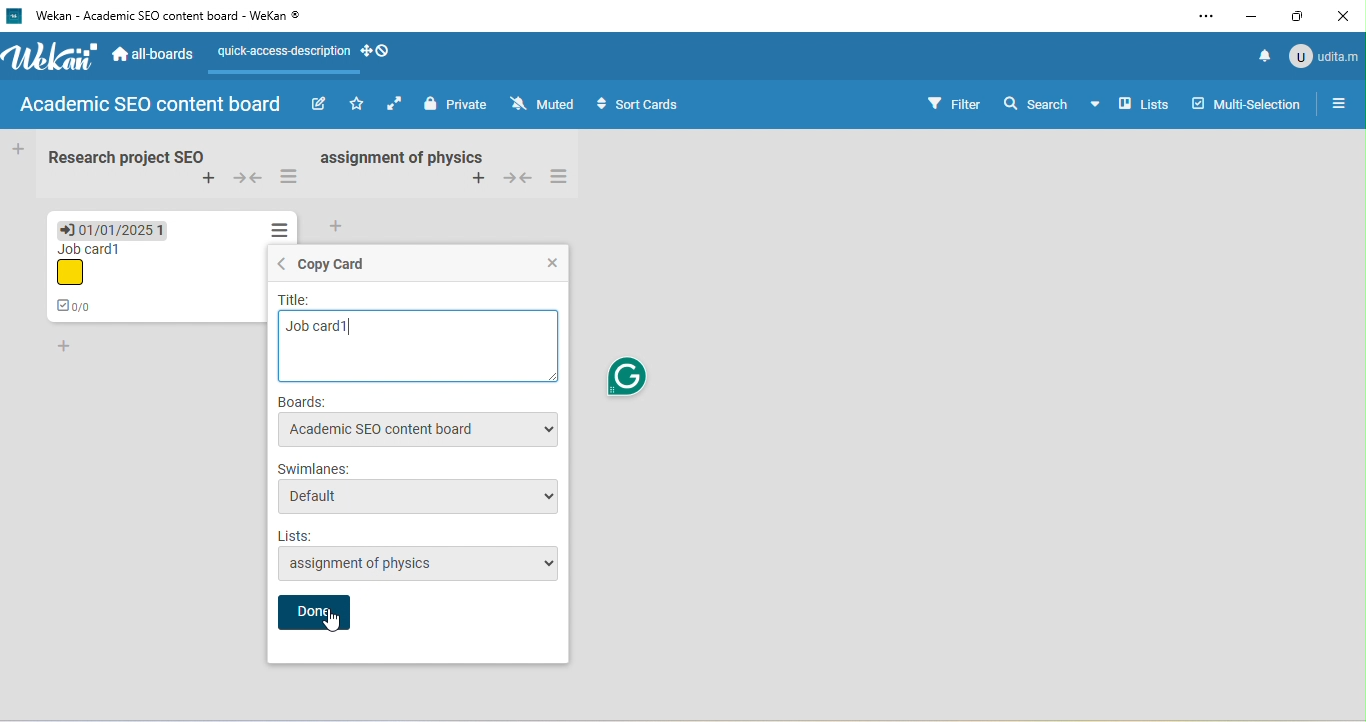  What do you see at coordinates (1144, 105) in the screenshot?
I see `lists` at bounding box center [1144, 105].